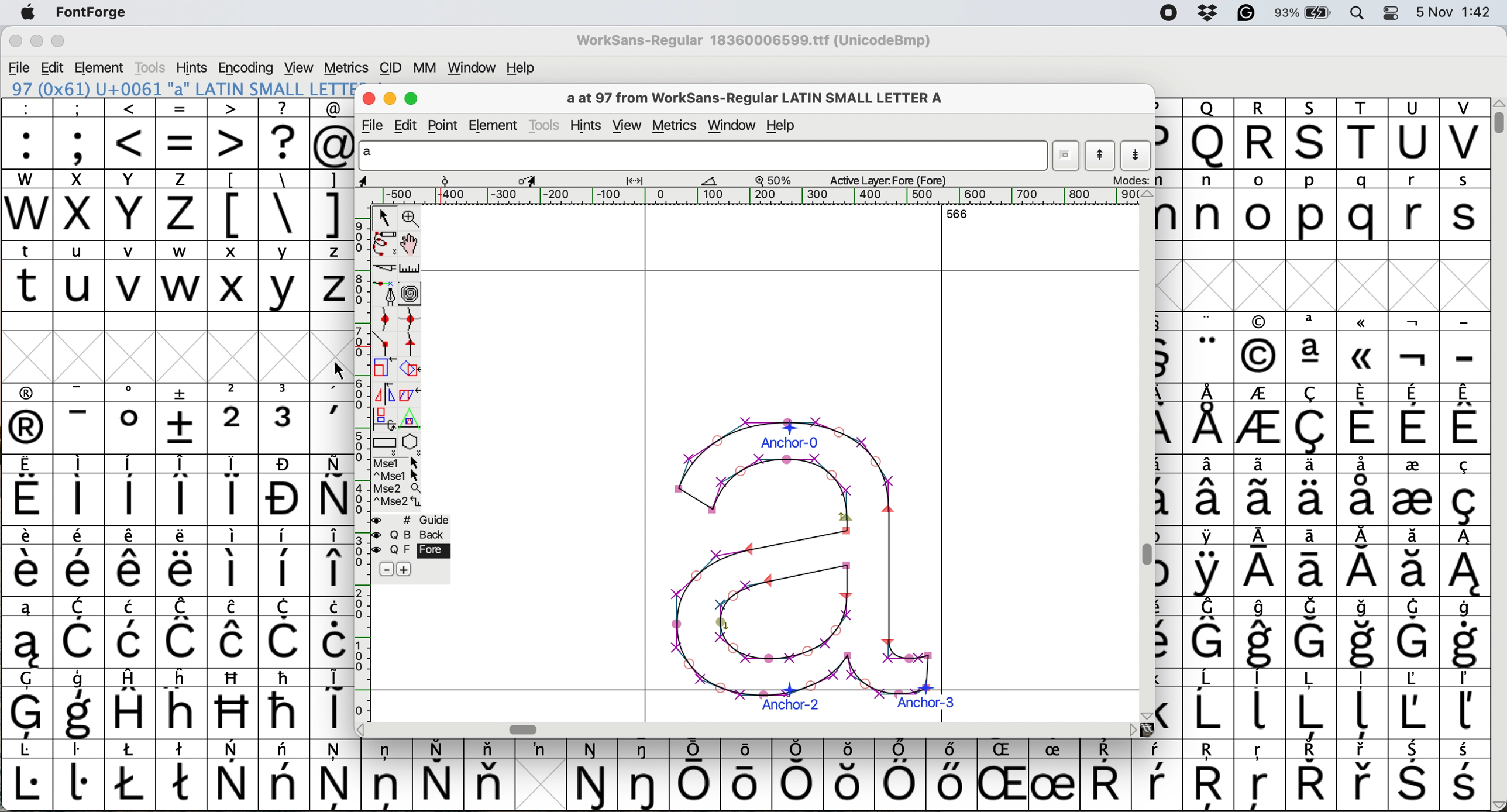  I want to click on battery, so click(1308, 12).